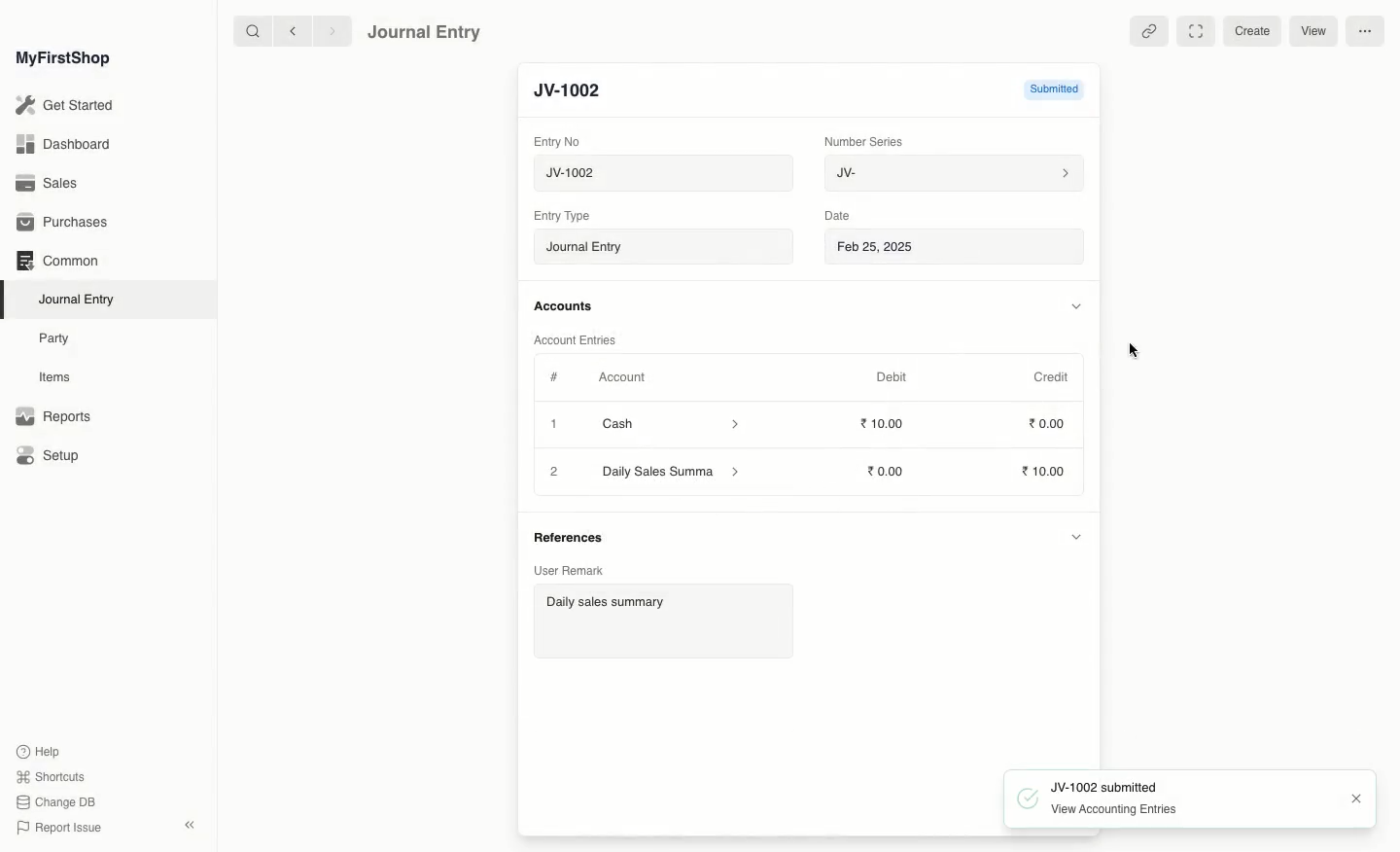 The image size is (1400, 852). I want to click on Journal Entry, so click(669, 248).